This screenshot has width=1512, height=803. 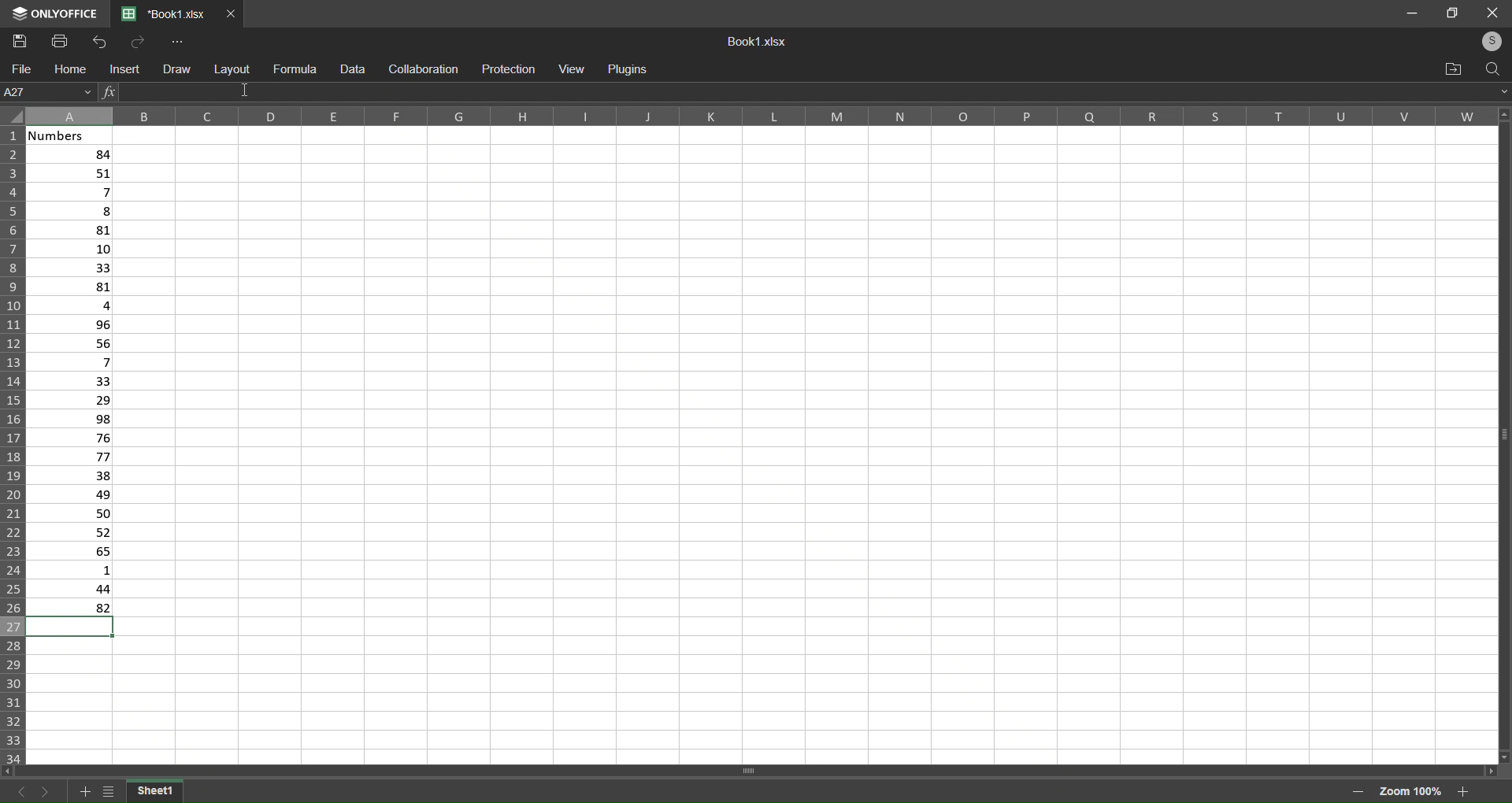 What do you see at coordinates (295, 68) in the screenshot?
I see `formula` at bounding box center [295, 68].